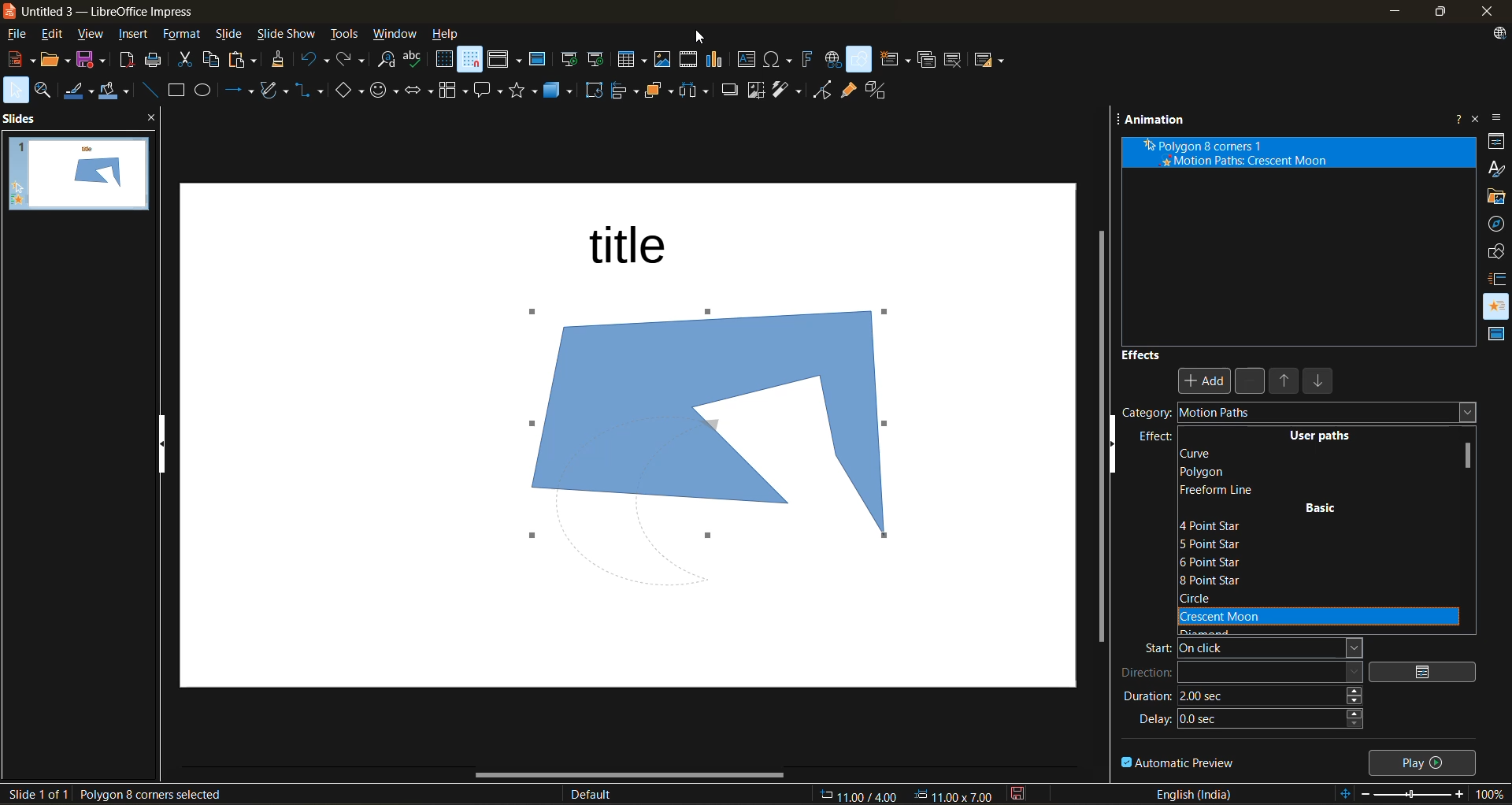 Image resolution: width=1512 pixels, height=805 pixels. What do you see at coordinates (180, 35) in the screenshot?
I see `format` at bounding box center [180, 35].